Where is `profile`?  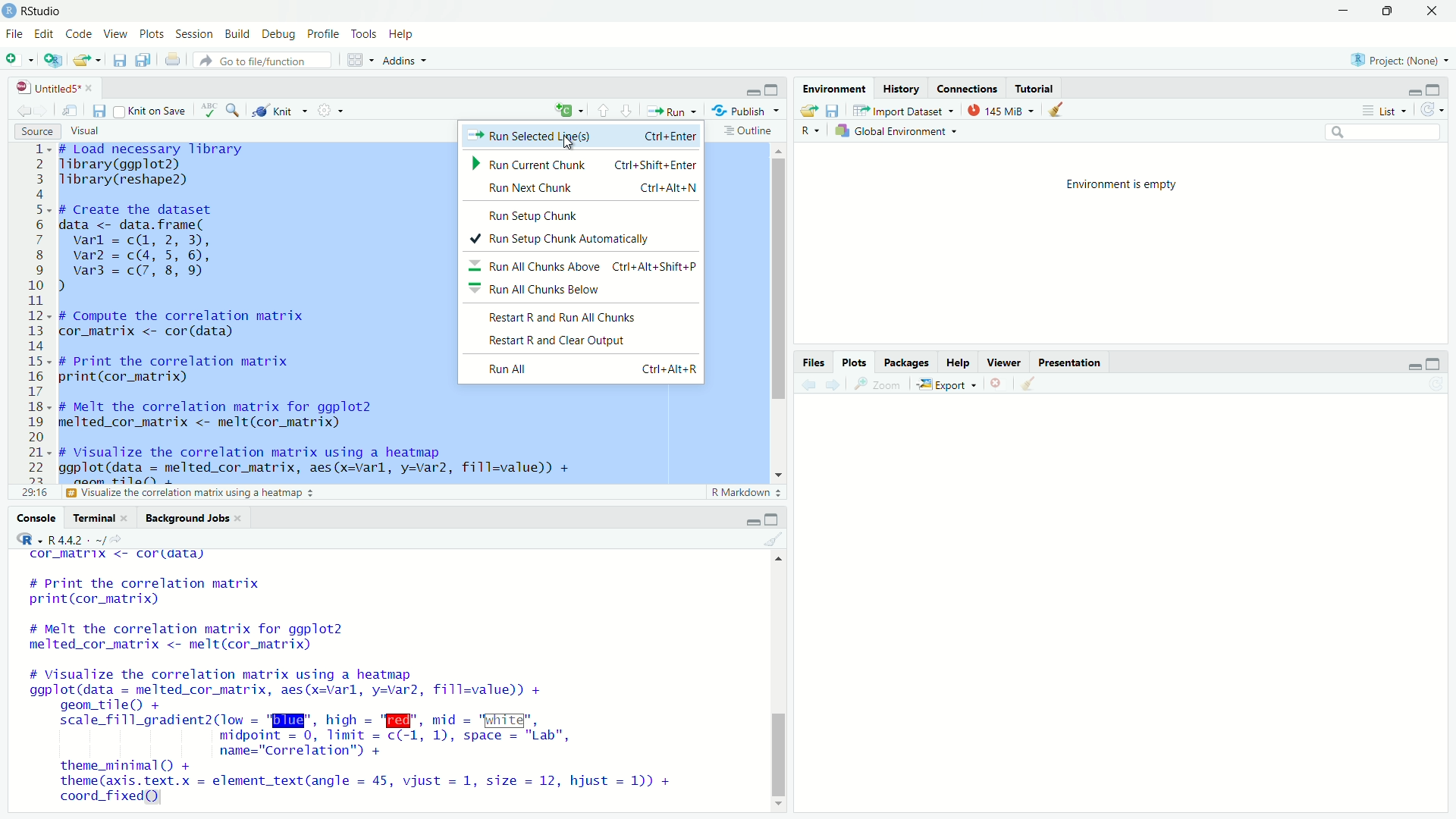 profile is located at coordinates (324, 35).